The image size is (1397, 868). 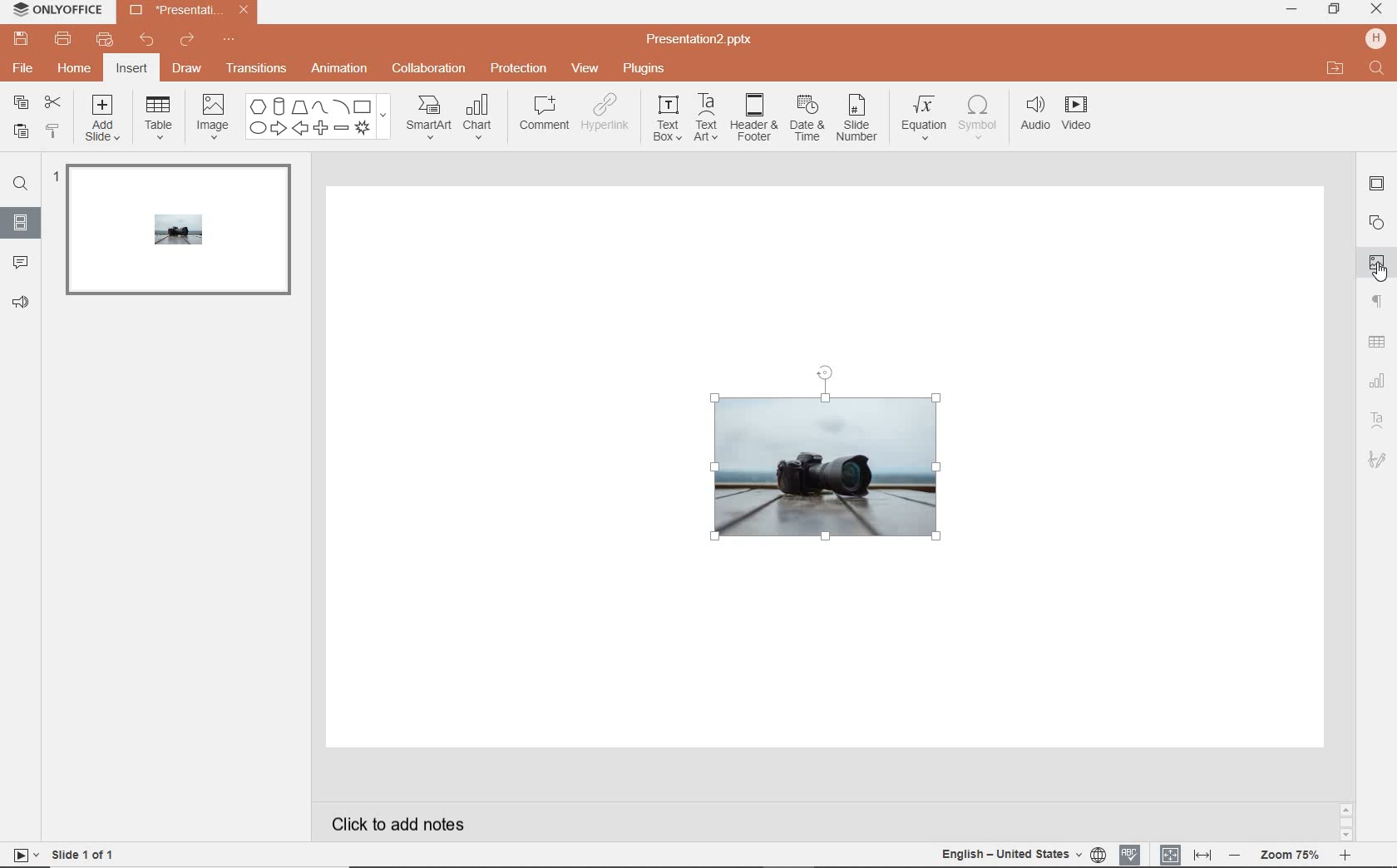 I want to click on transition, so click(x=256, y=68).